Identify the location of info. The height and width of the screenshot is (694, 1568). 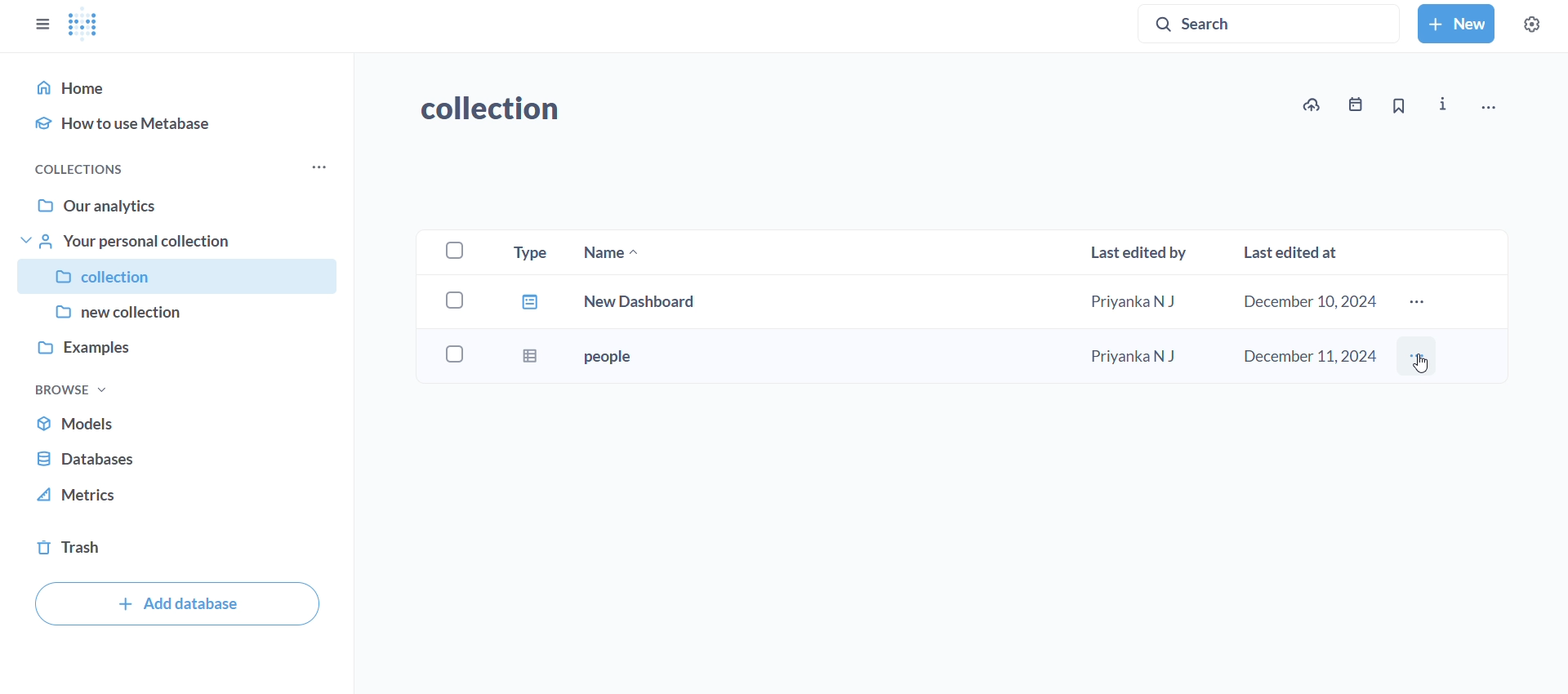
(1445, 105).